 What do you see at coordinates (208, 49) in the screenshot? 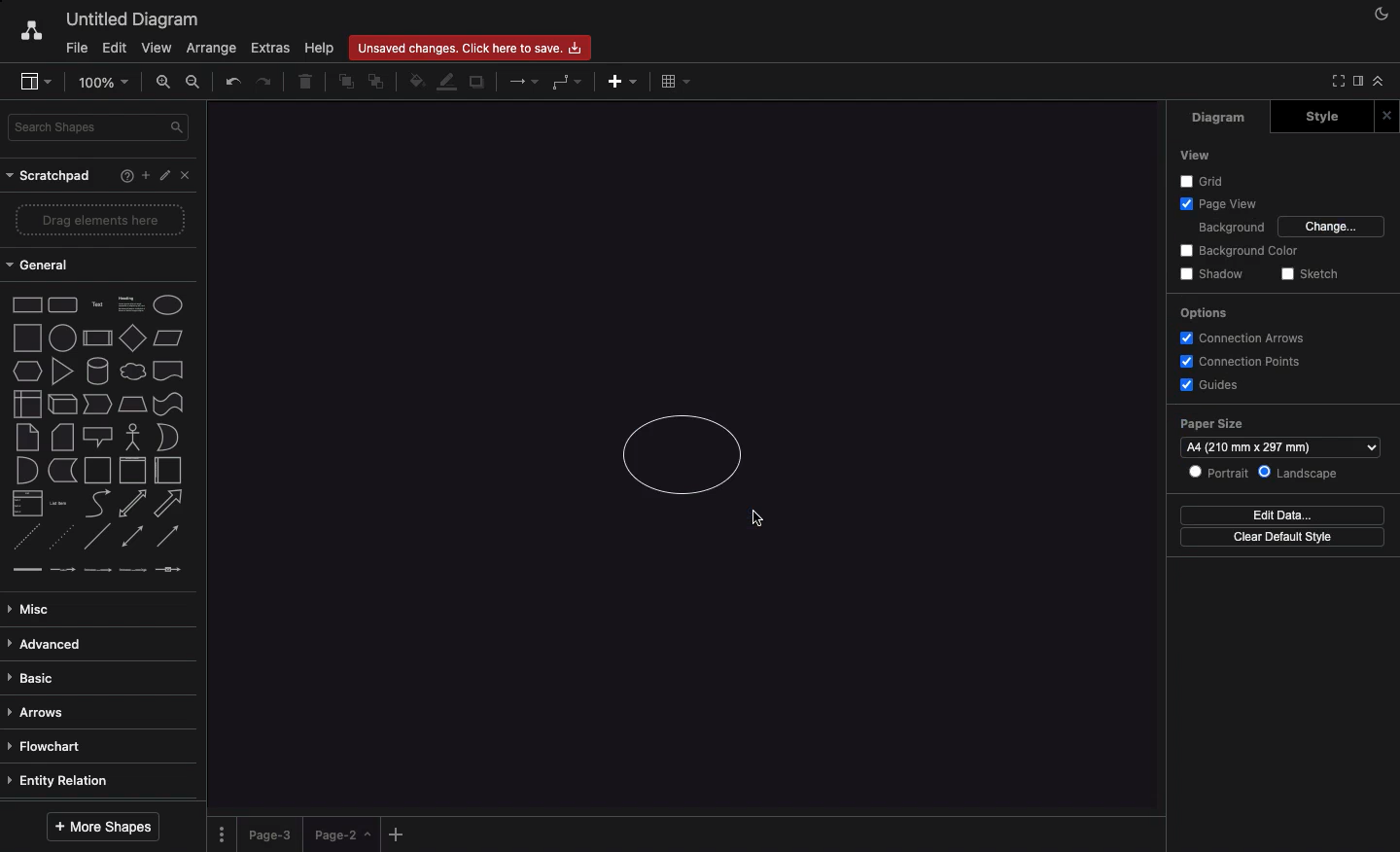
I see `Arrange` at bounding box center [208, 49].